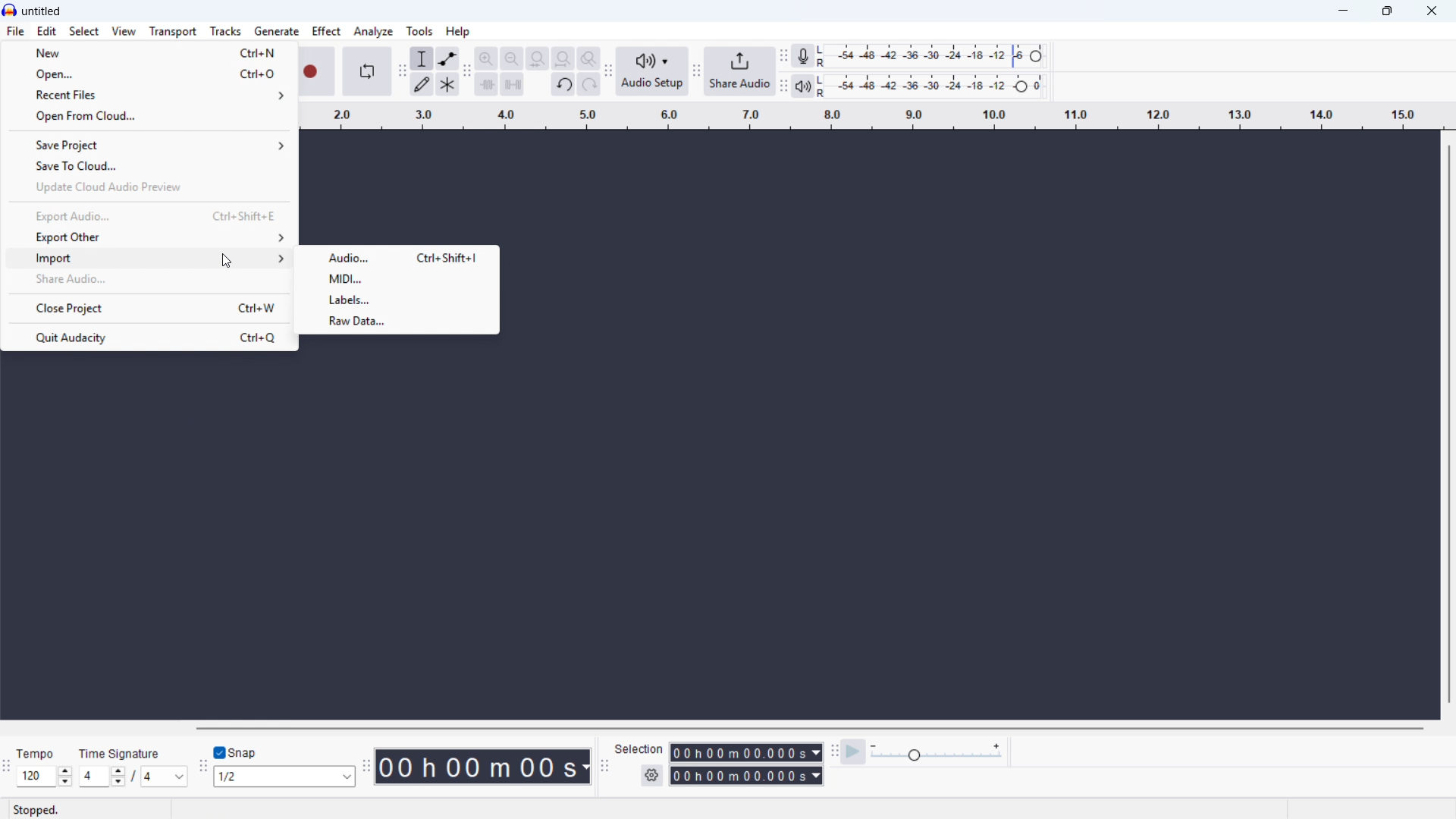  What do you see at coordinates (447, 58) in the screenshot?
I see `Envelope tool ` at bounding box center [447, 58].